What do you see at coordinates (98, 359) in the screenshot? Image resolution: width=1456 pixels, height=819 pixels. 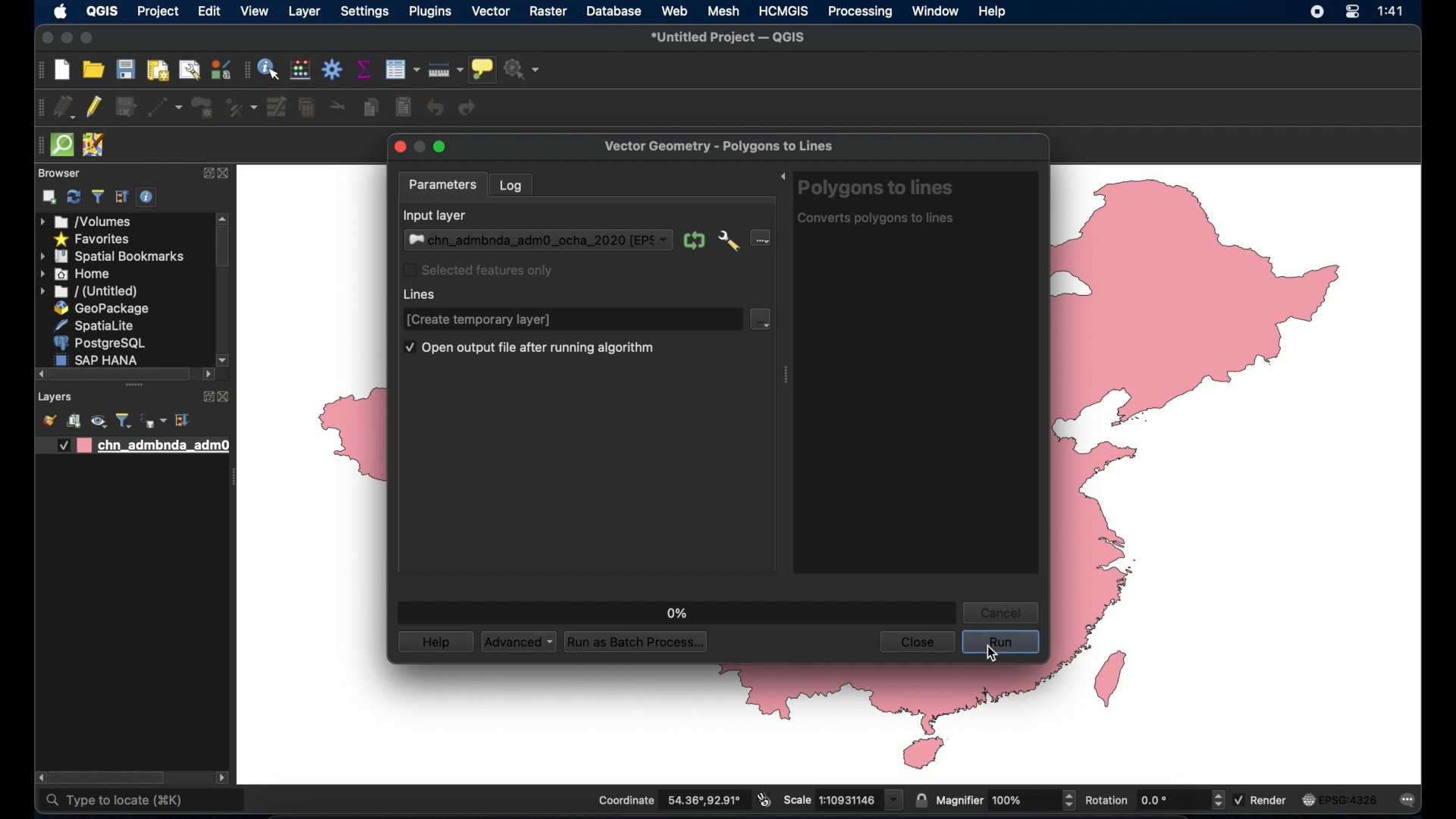 I see `sap hana` at bounding box center [98, 359].